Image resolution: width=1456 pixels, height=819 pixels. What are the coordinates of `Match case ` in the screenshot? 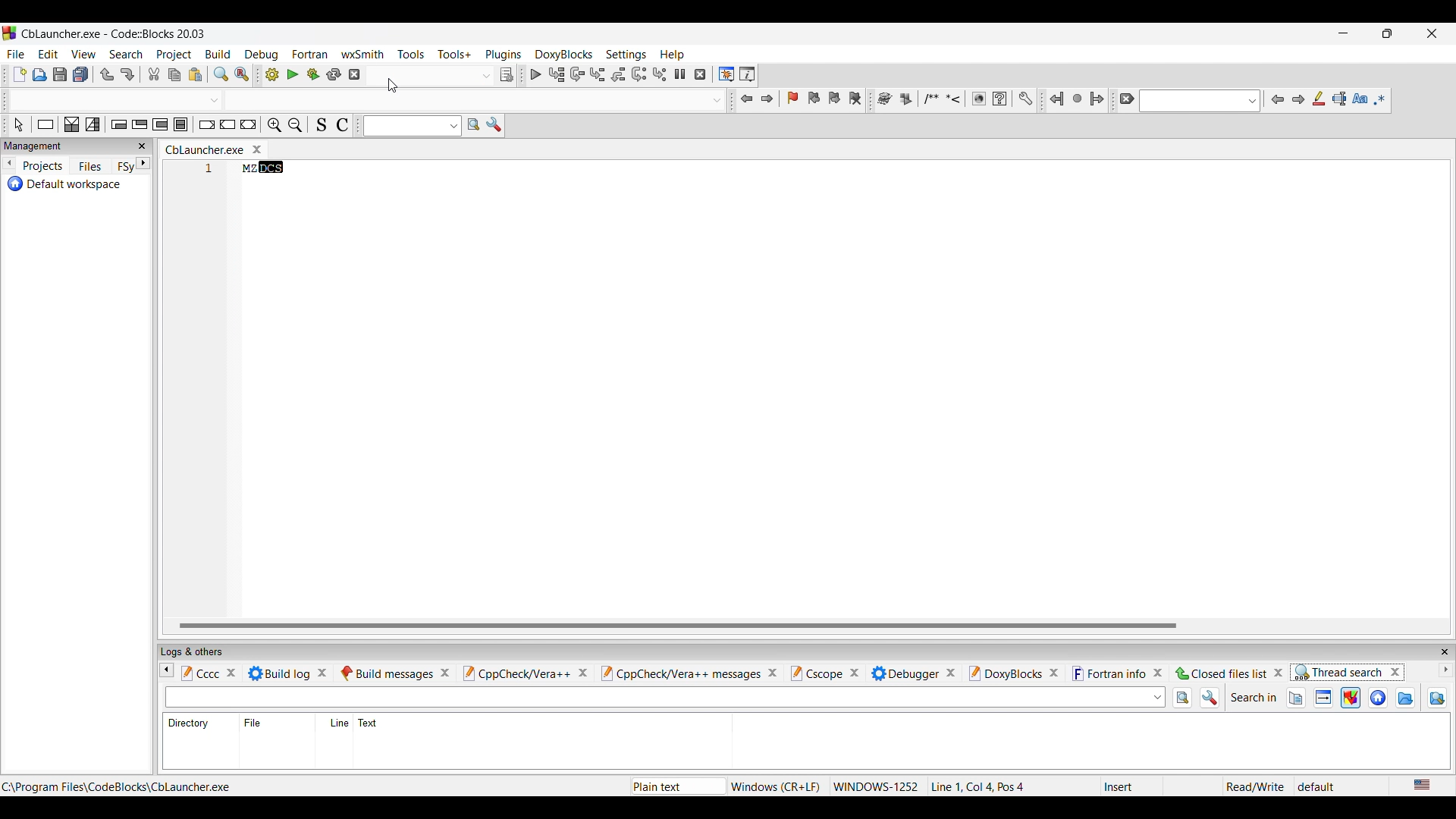 It's located at (1360, 98).